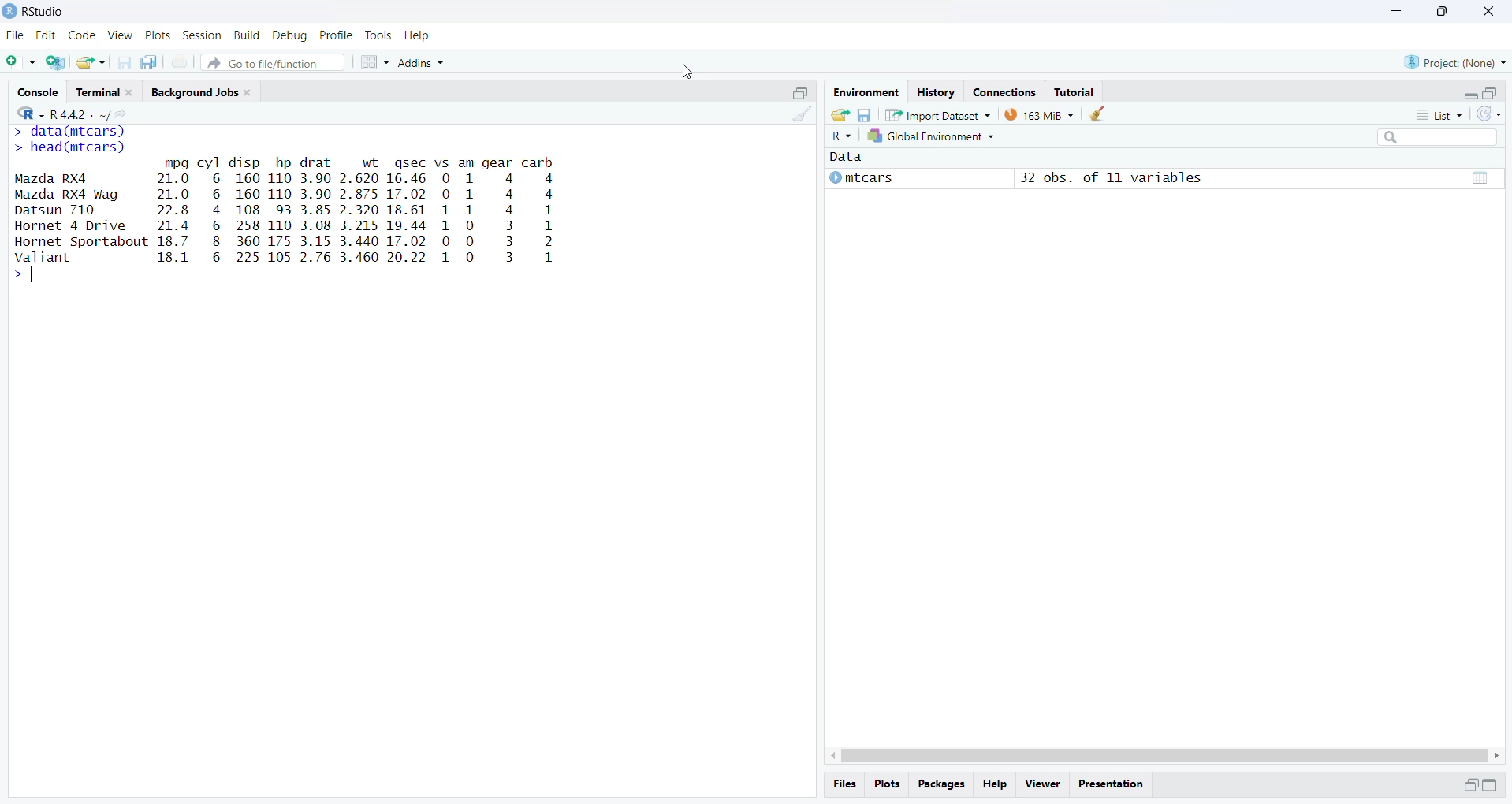  What do you see at coordinates (1442, 115) in the screenshot?
I see `list` at bounding box center [1442, 115].